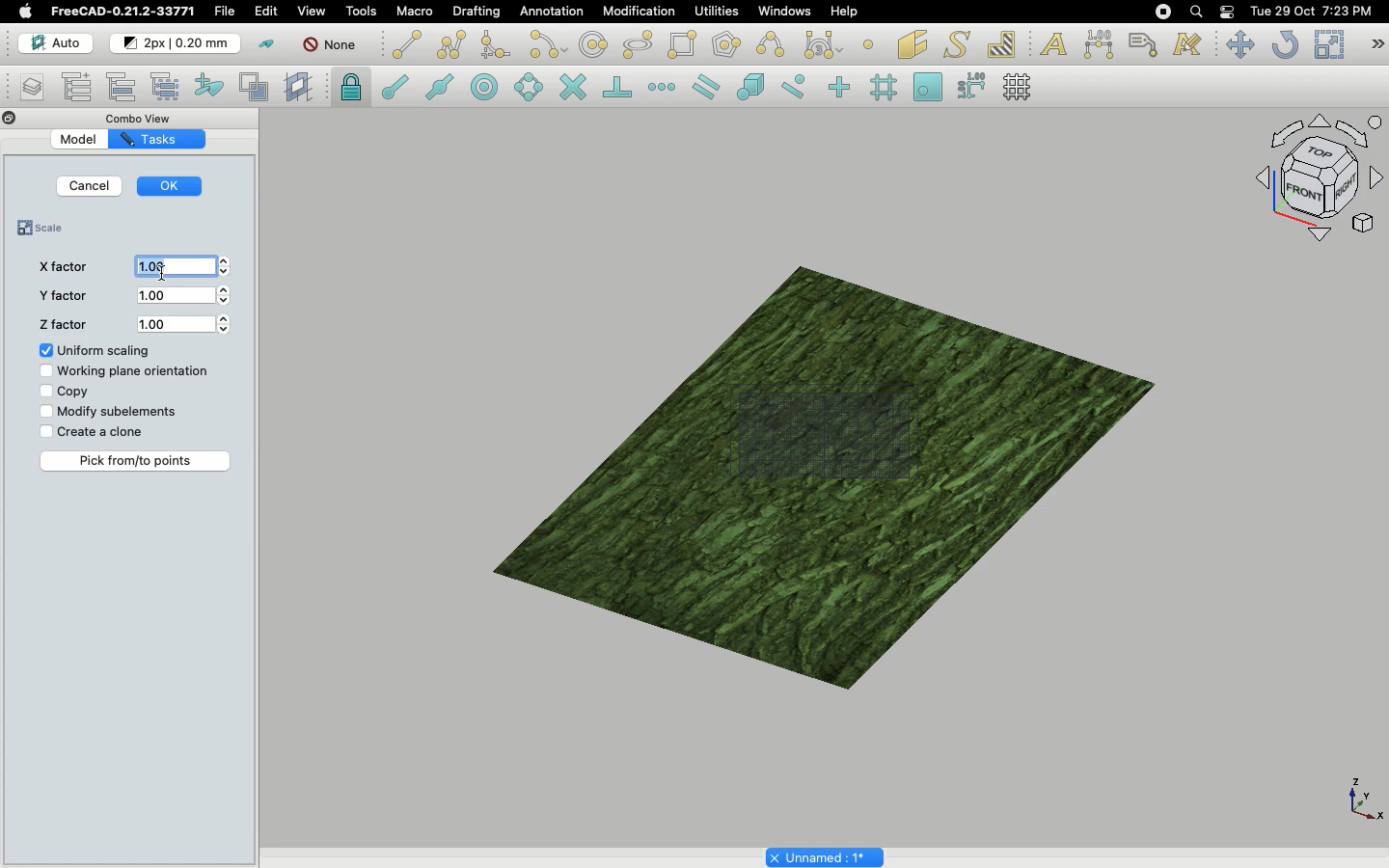 The width and height of the screenshot is (1389, 868). What do you see at coordinates (451, 44) in the screenshot?
I see `Polyline` at bounding box center [451, 44].